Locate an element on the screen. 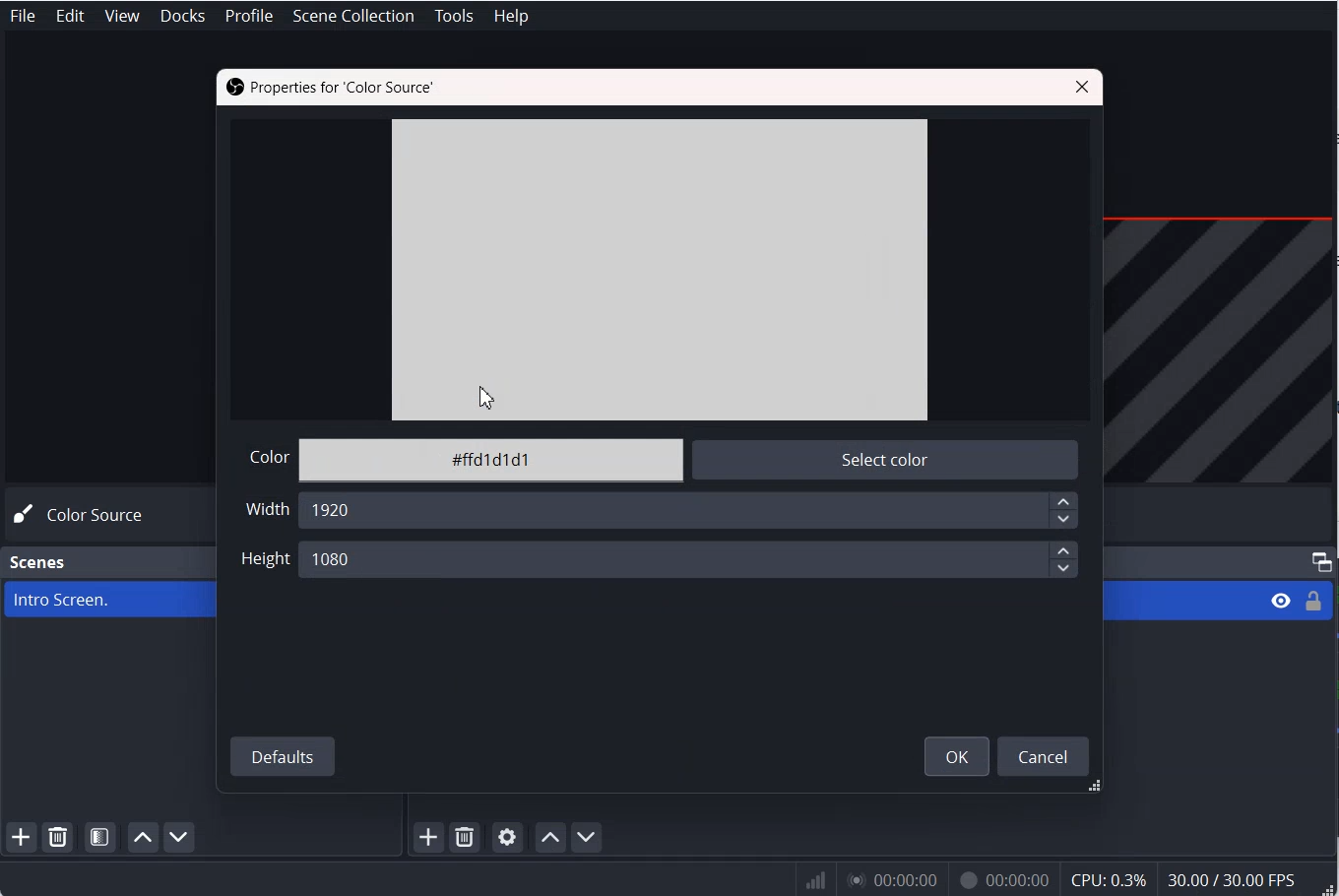 The width and height of the screenshot is (1339, 896). Cursor is located at coordinates (484, 396).